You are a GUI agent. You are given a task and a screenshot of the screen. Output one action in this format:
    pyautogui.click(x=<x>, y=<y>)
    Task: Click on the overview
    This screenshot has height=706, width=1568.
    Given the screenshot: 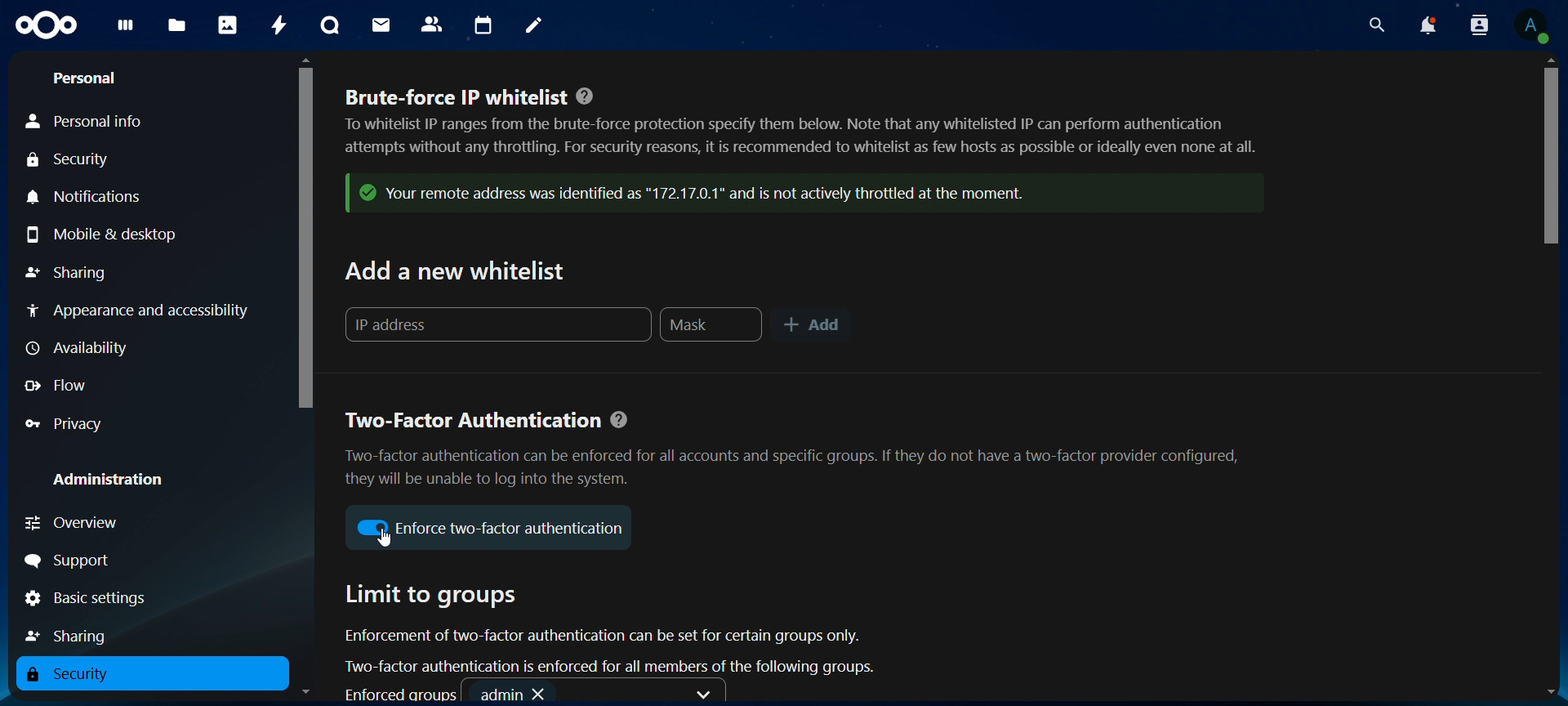 What is the action you would take?
    pyautogui.click(x=78, y=522)
    